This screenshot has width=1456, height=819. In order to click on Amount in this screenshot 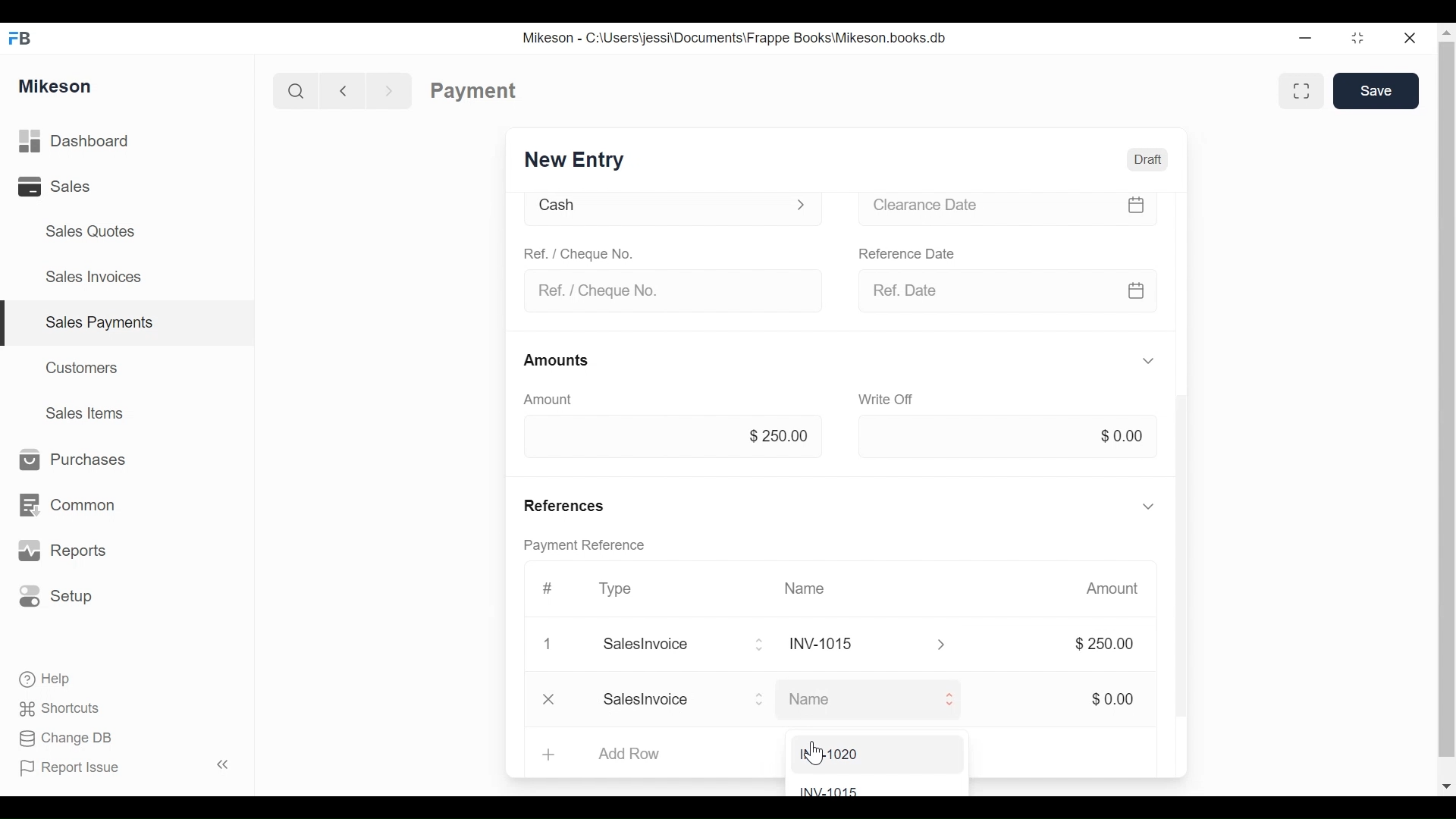, I will do `click(1123, 588)`.